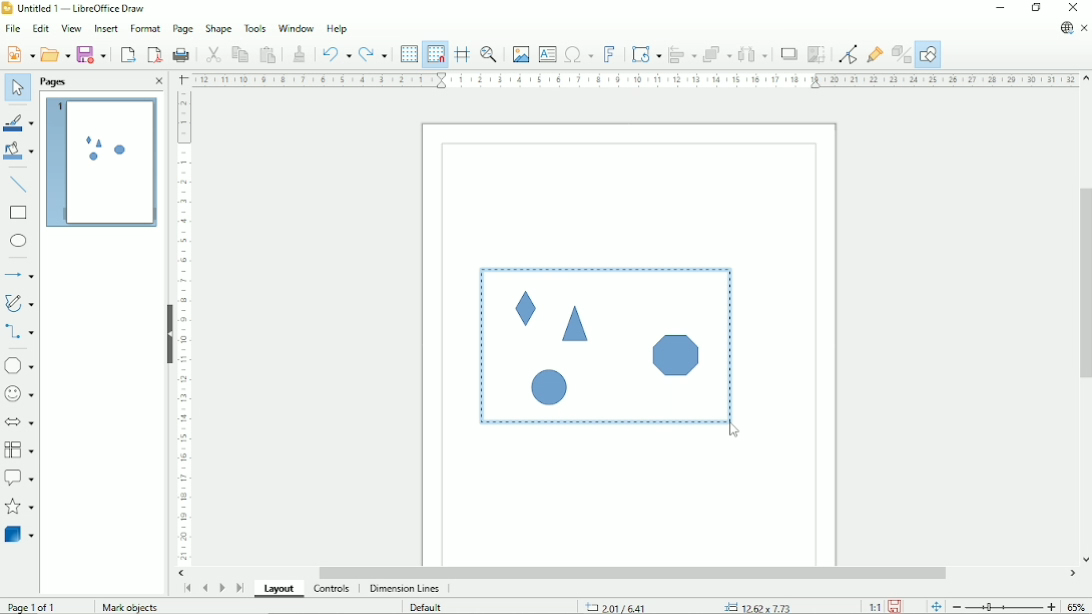 The width and height of the screenshot is (1092, 614). What do you see at coordinates (21, 123) in the screenshot?
I see `Line color` at bounding box center [21, 123].